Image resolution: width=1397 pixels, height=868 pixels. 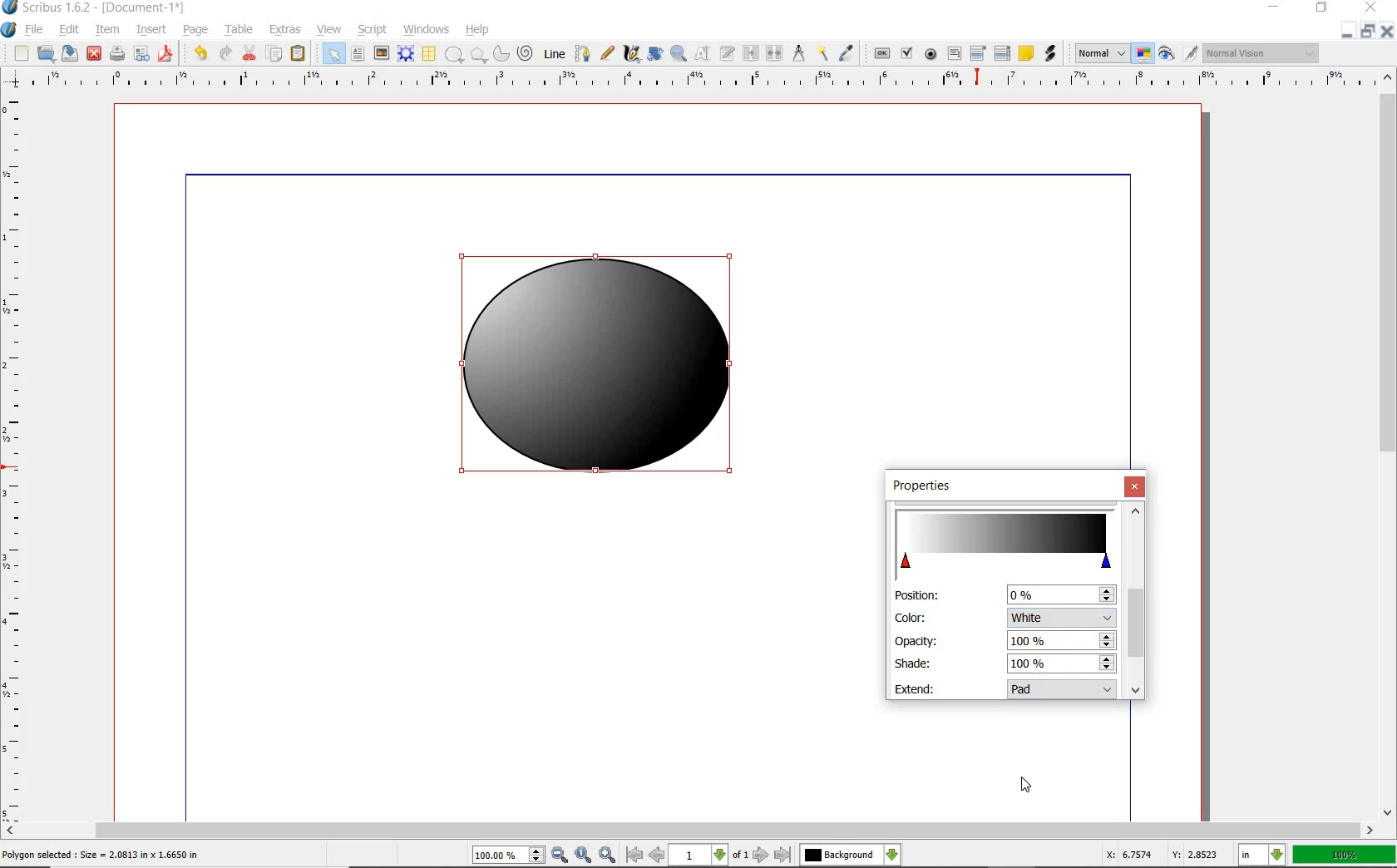 What do you see at coordinates (1027, 785) in the screenshot?
I see `cursor` at bounding box center [1027, 785].